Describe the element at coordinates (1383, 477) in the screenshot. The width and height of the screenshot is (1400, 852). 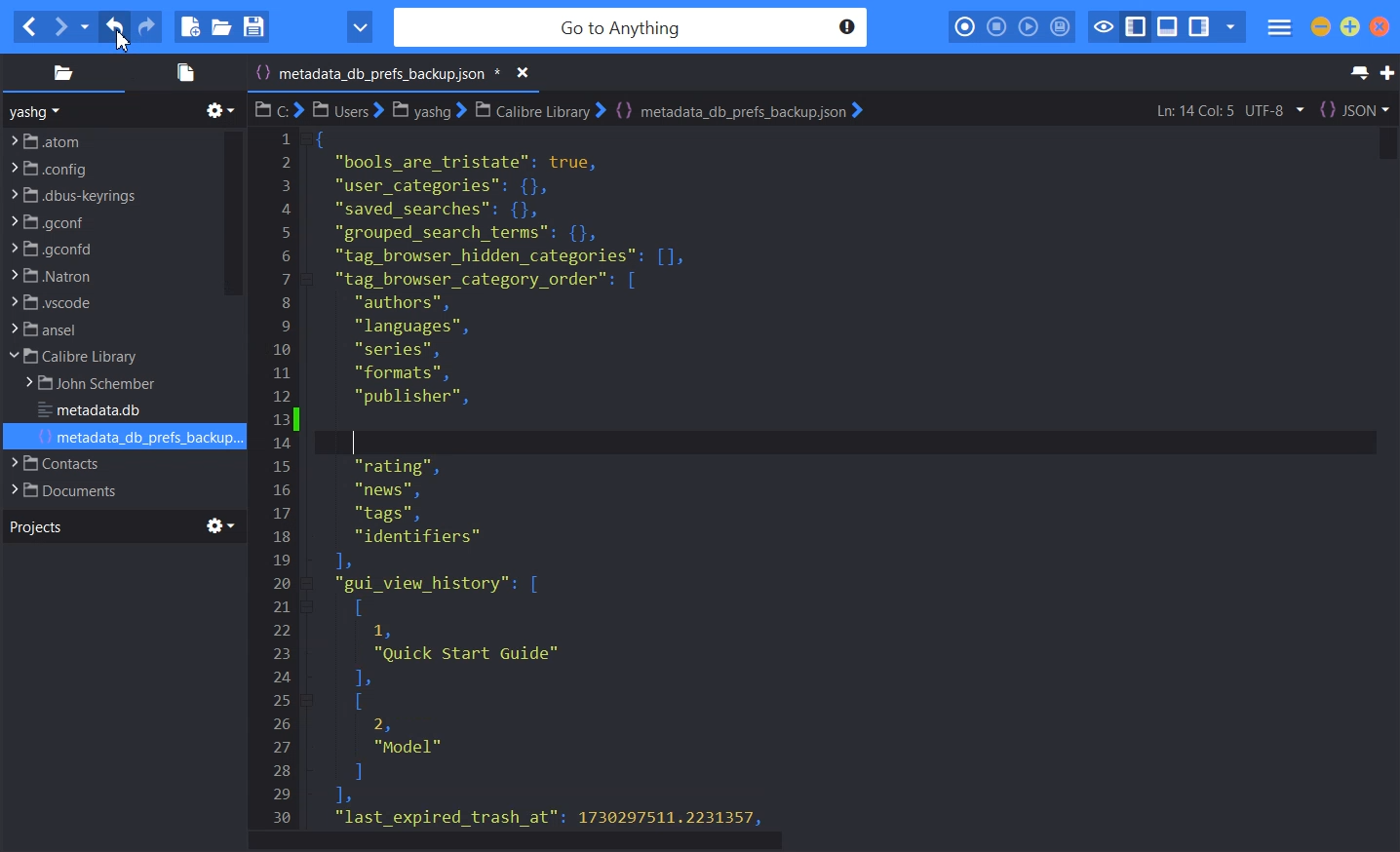
I see `Vertical scroll bar` at that location.